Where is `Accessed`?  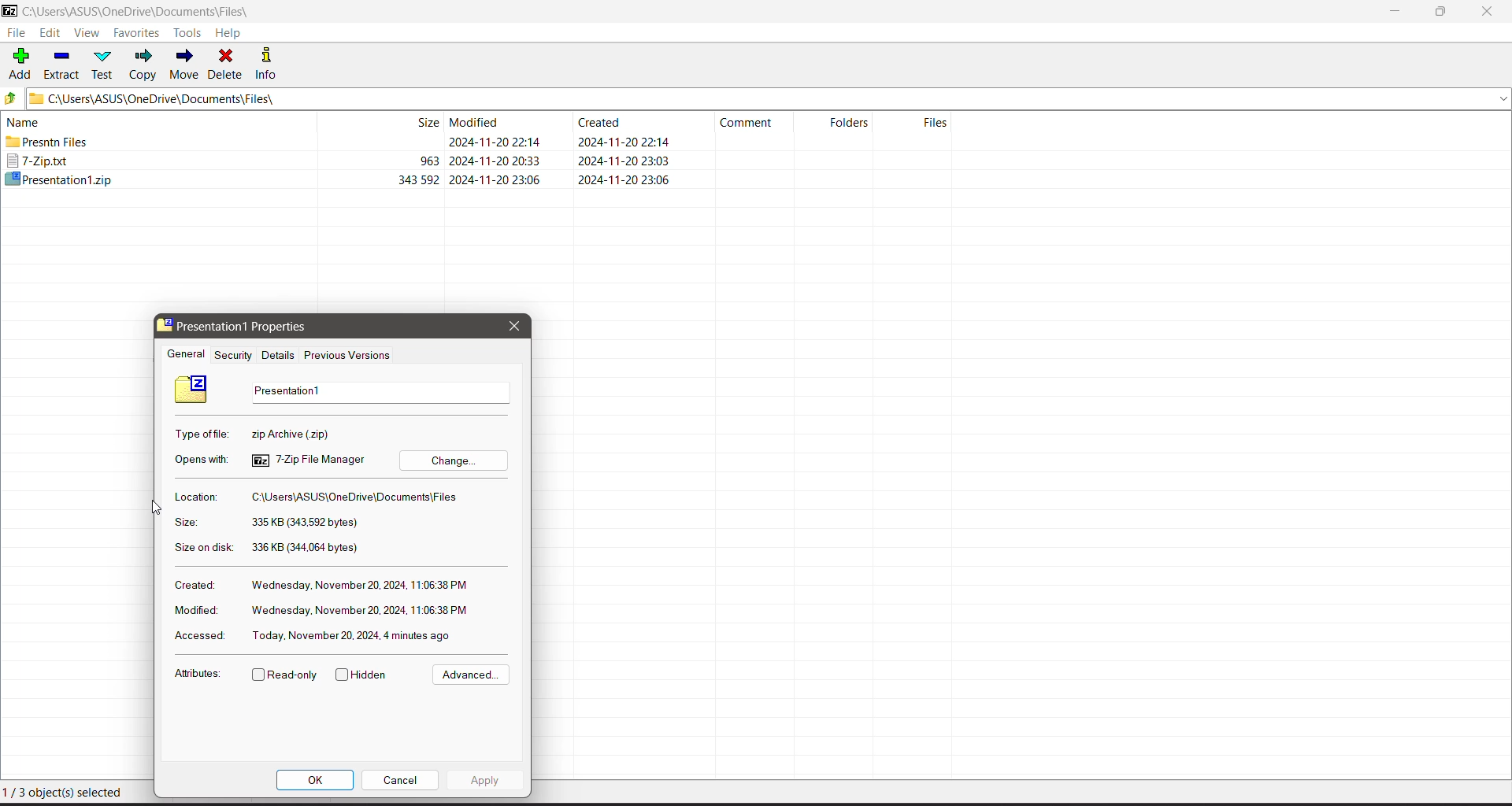 Accessed is located at coordinates (197, 636).